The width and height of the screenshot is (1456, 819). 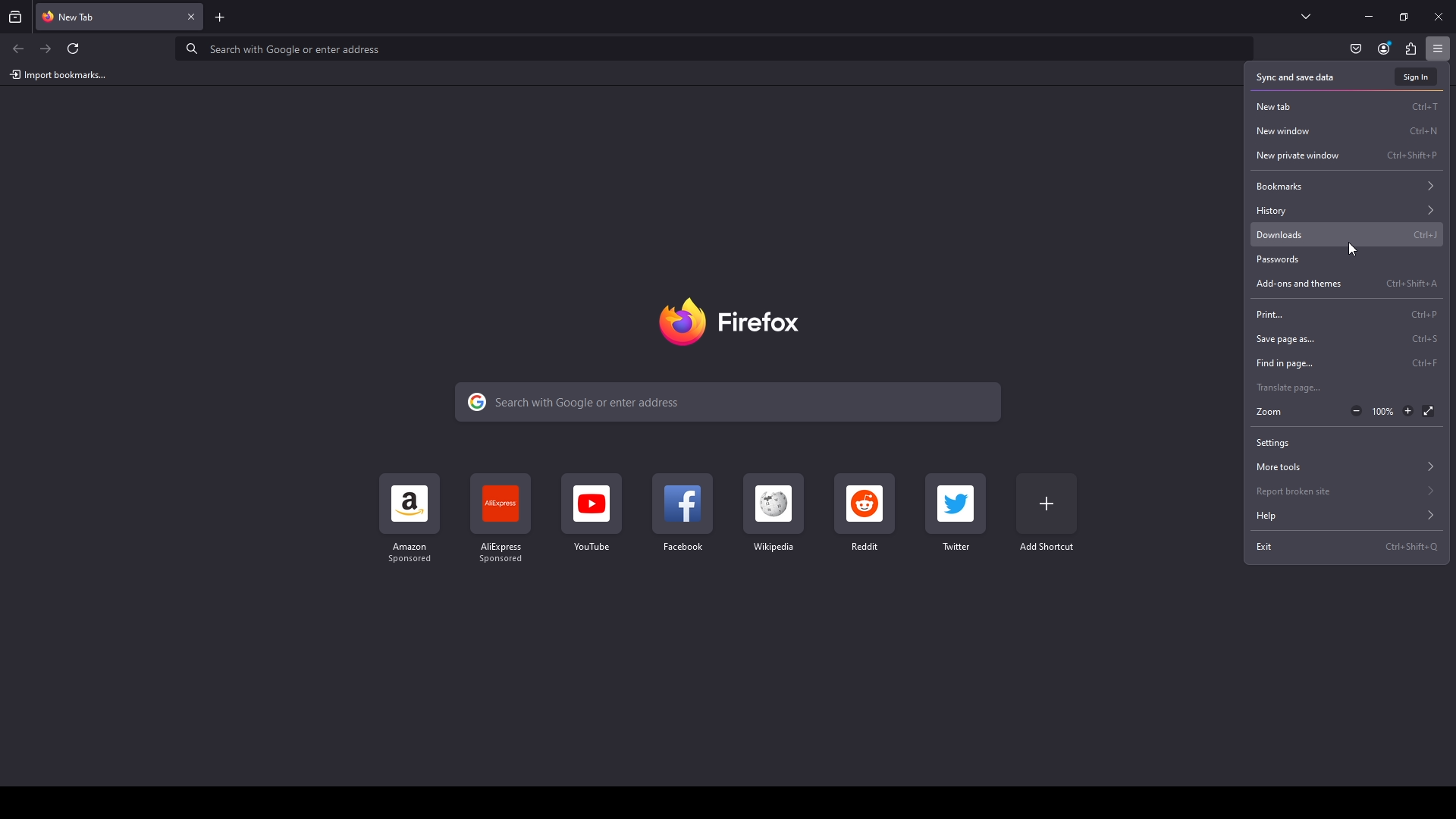 What do you see at coordinates (46, 48) in the screenshot?
I see `Forward` at bounding box center [46, 48].